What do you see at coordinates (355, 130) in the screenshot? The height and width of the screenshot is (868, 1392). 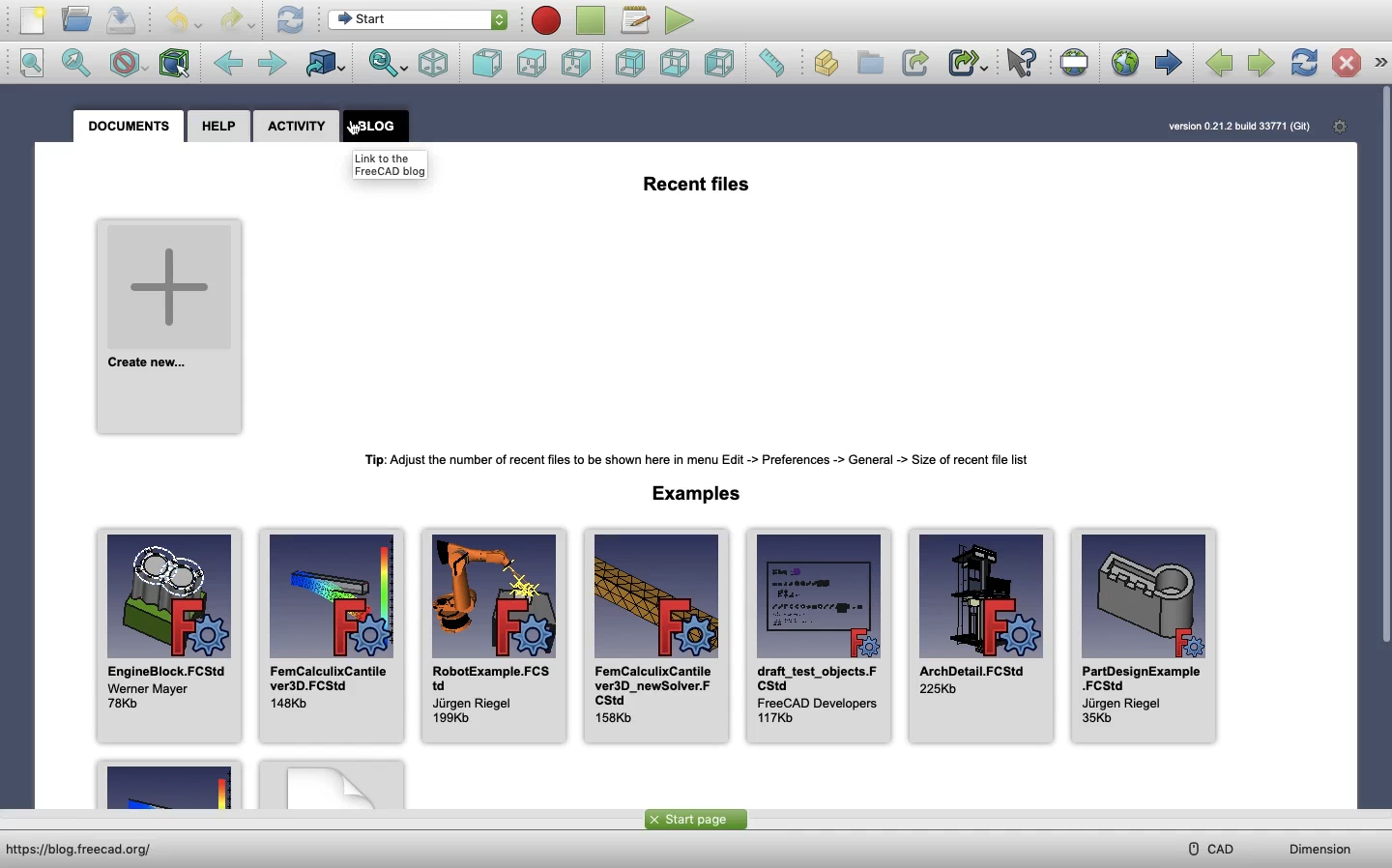 I see `Cursor` at bounding box center [355, 130].